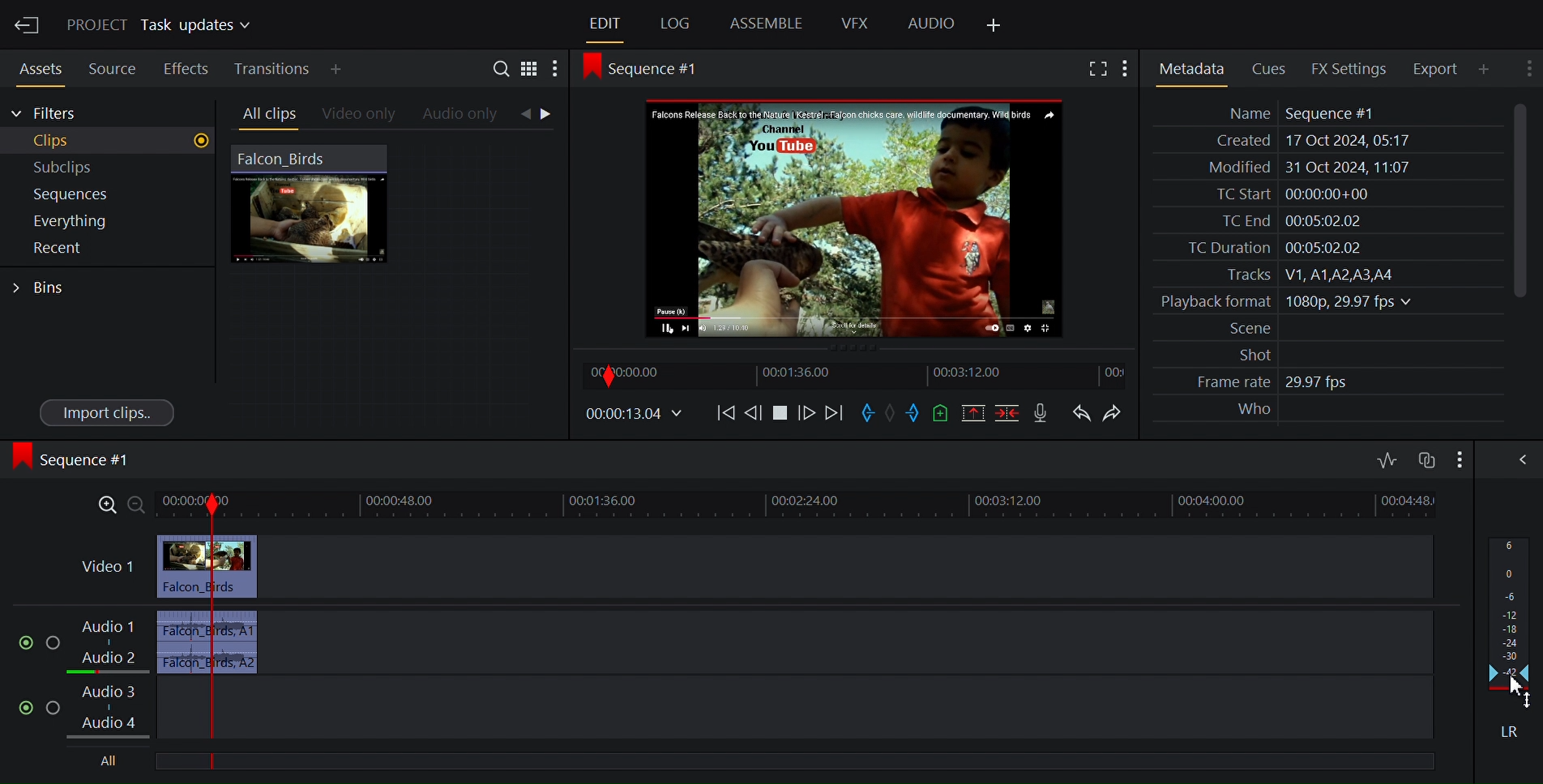 Image resolution: width=1543 pixels, height=784 pixels. Describe the element at coordinates (23, 706) in the screenshot. I see `Mute/unmute` at that location.